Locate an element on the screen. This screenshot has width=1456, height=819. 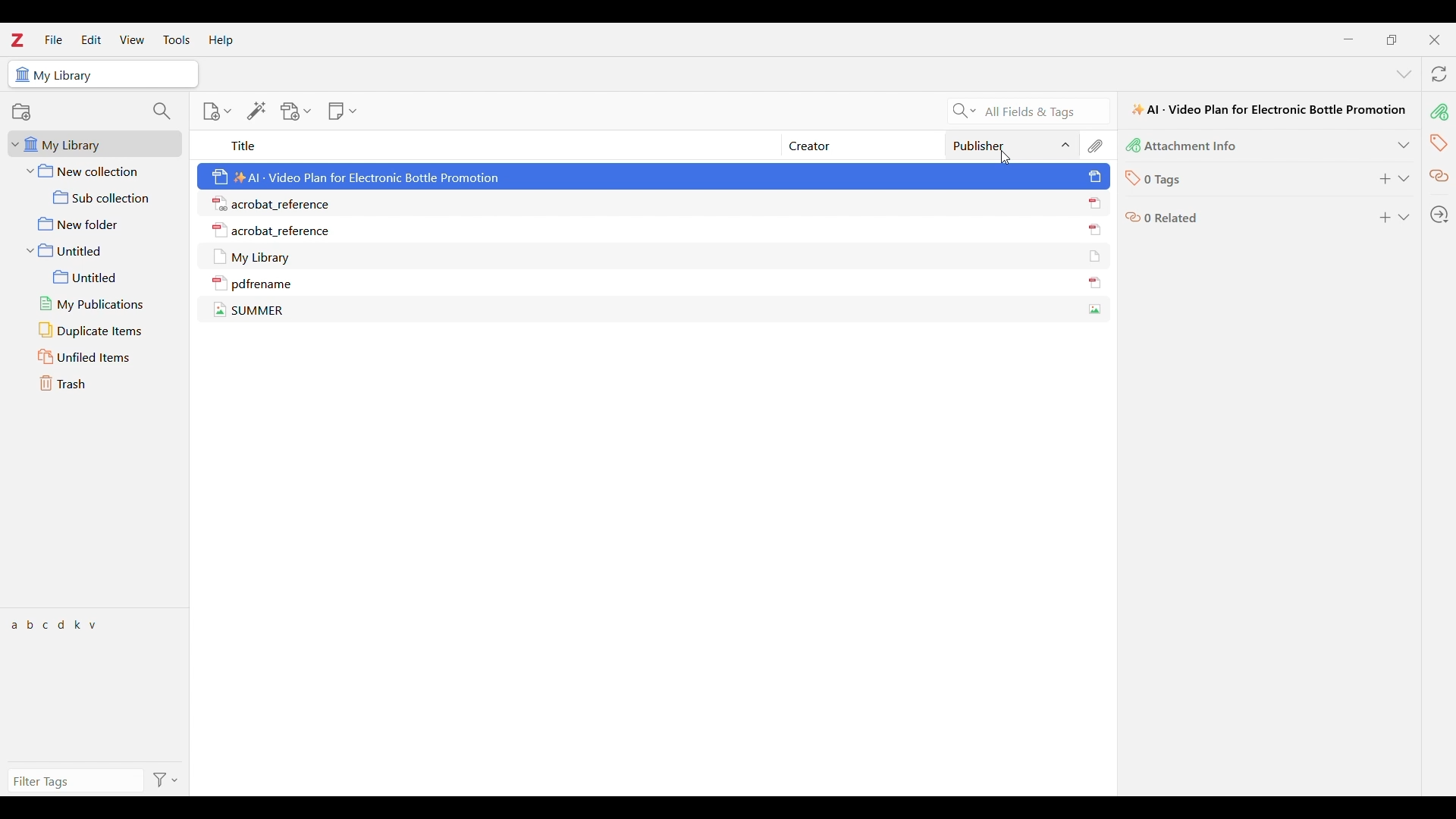
Locate is located at coordinates (1439, 215).